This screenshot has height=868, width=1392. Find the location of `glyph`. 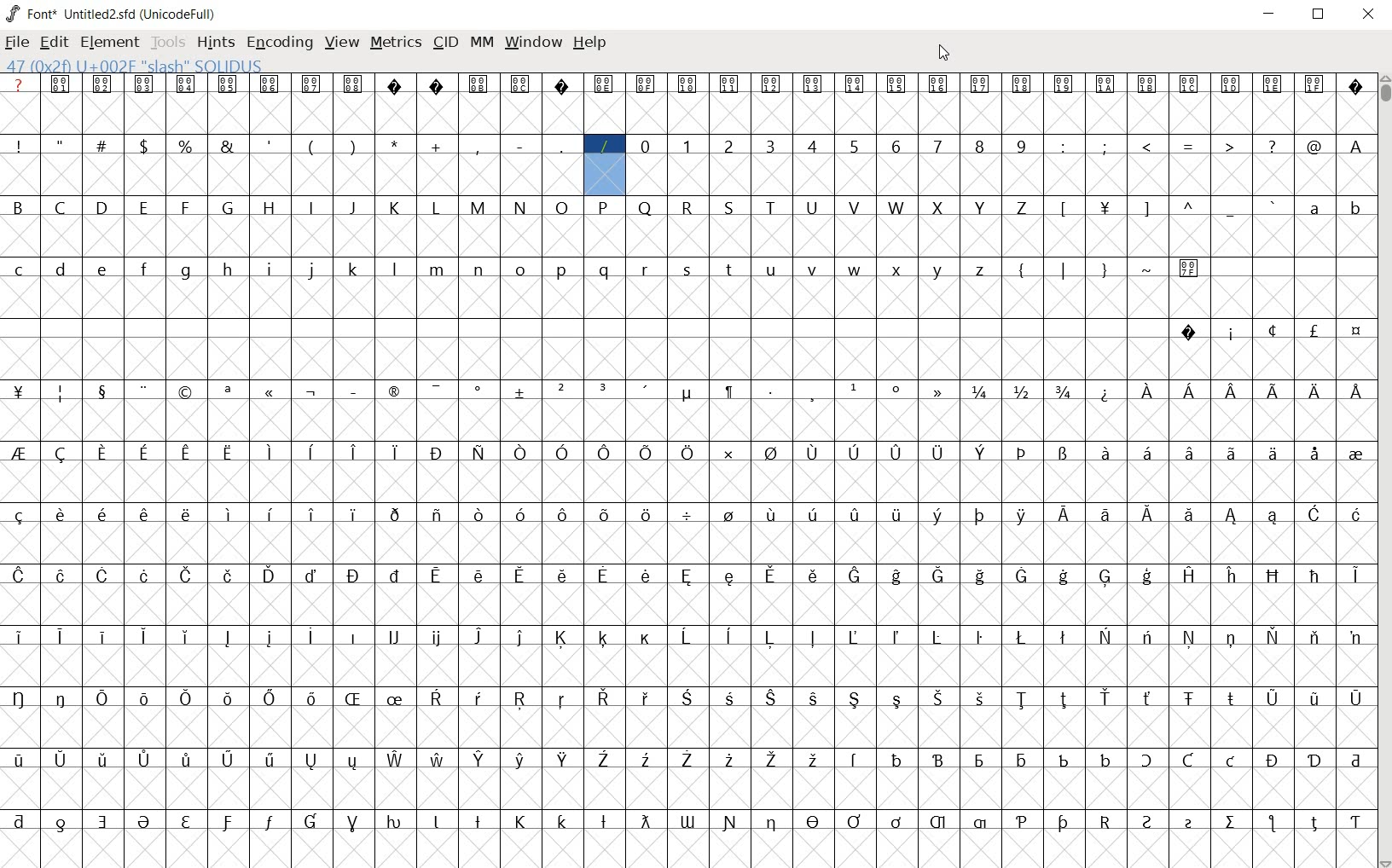

glyph is located at coordinates (1022, 637).